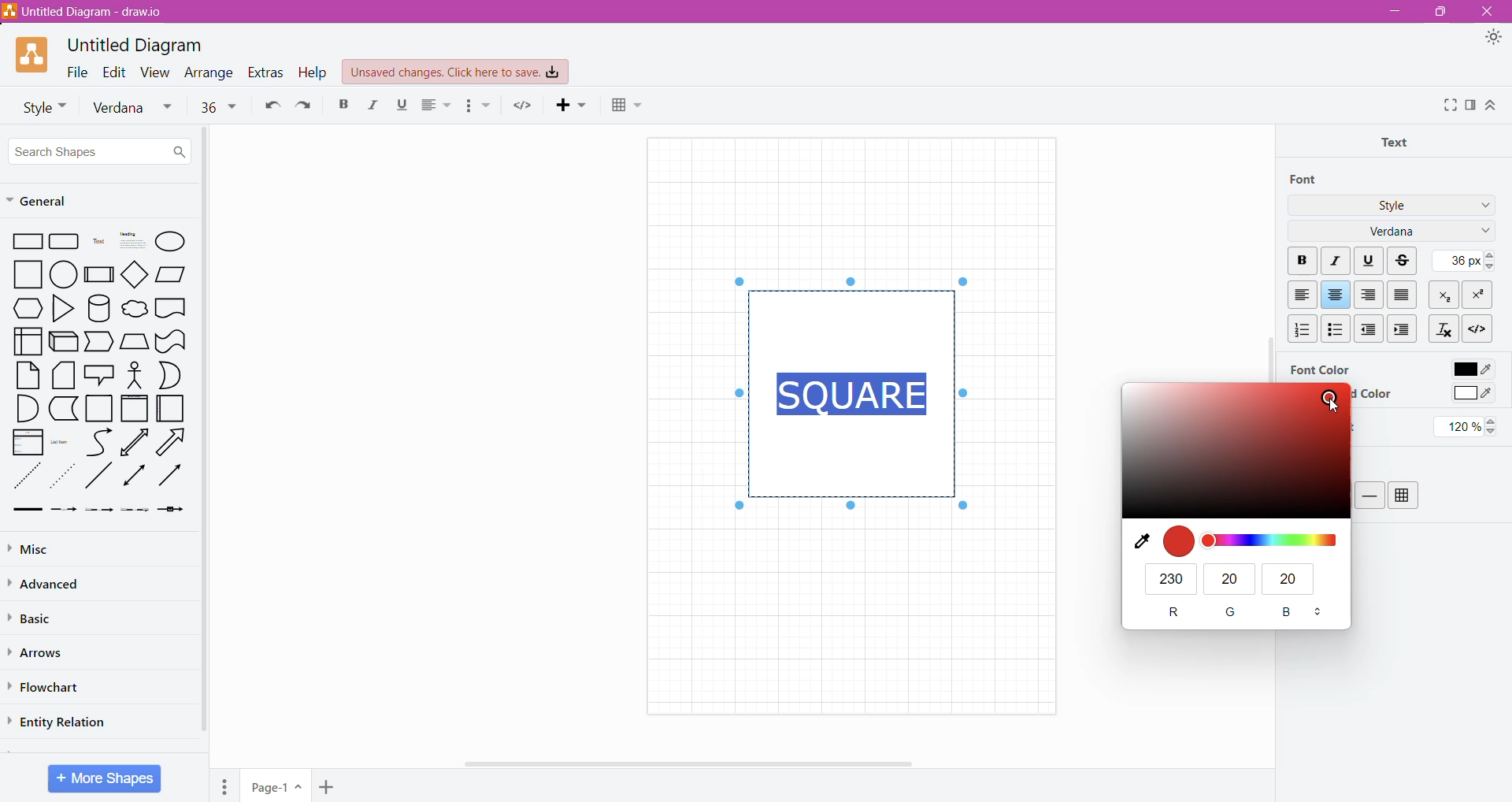  What do you see at coordinates (1136, 541) in the screenshot?
I see `dropper` at bounding box center [1136, 541].